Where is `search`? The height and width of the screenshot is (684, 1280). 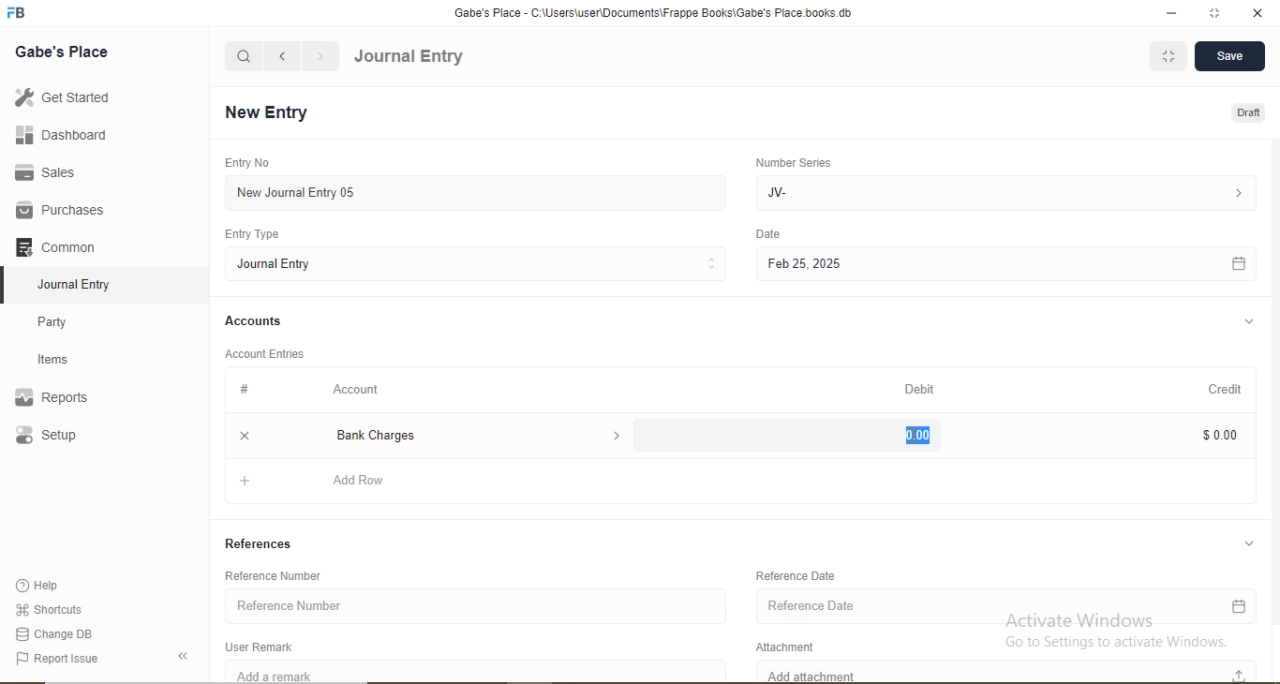
search is located at coordinates (244, 56).